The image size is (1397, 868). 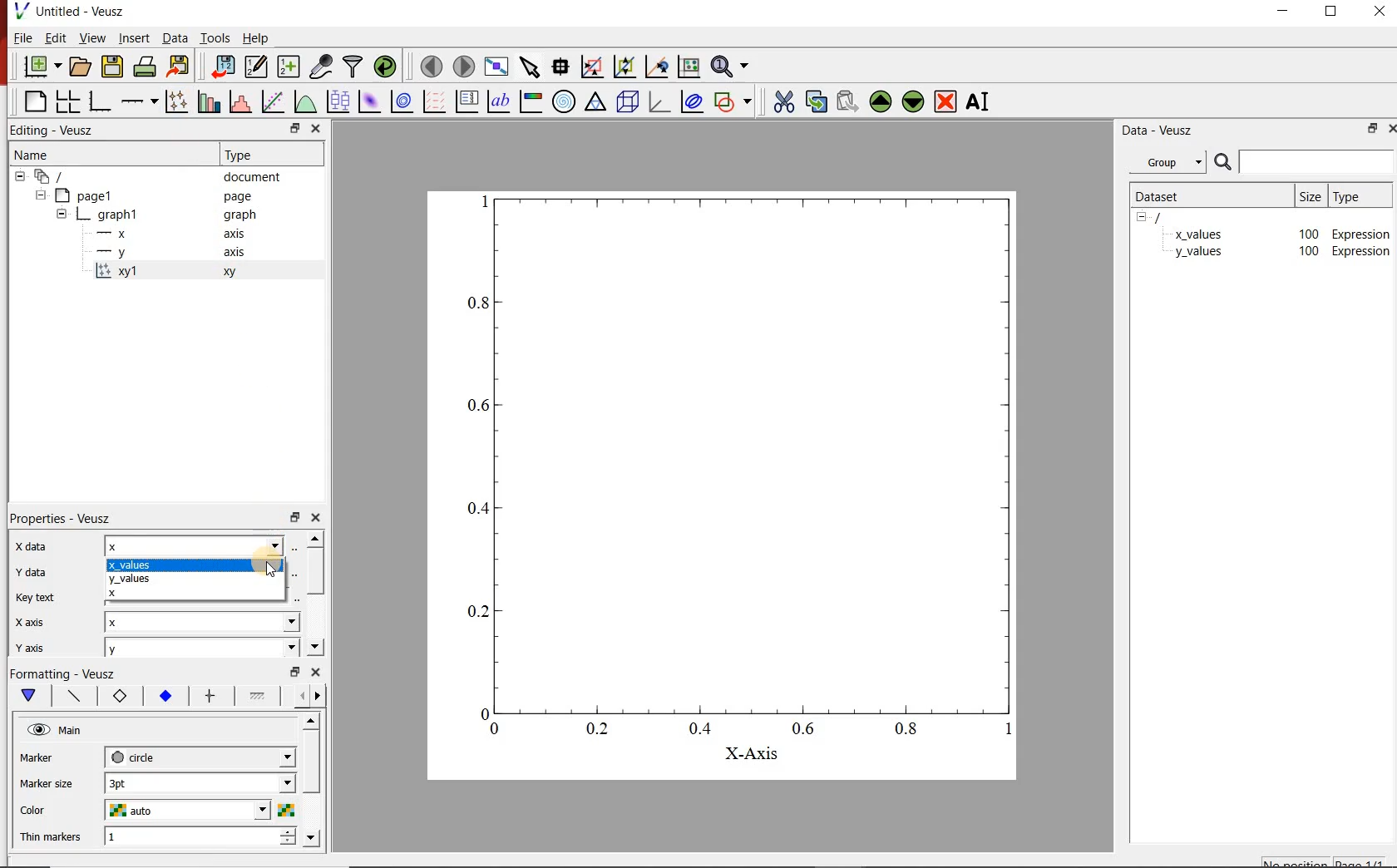 I want to click on move down, so click(x=316, y=646).